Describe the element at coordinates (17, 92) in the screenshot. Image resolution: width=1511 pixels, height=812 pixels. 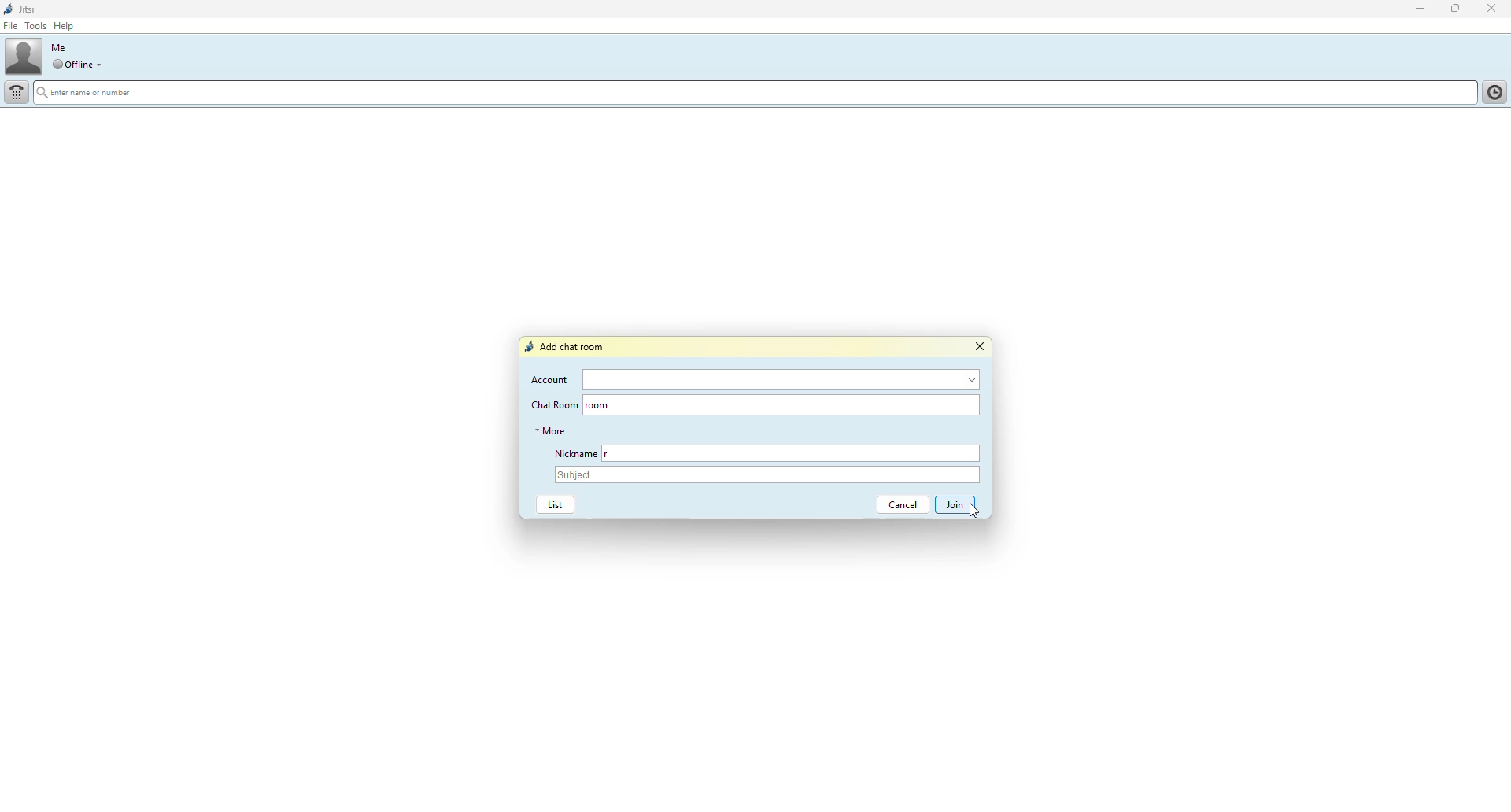
I see `dial pad` at that location.